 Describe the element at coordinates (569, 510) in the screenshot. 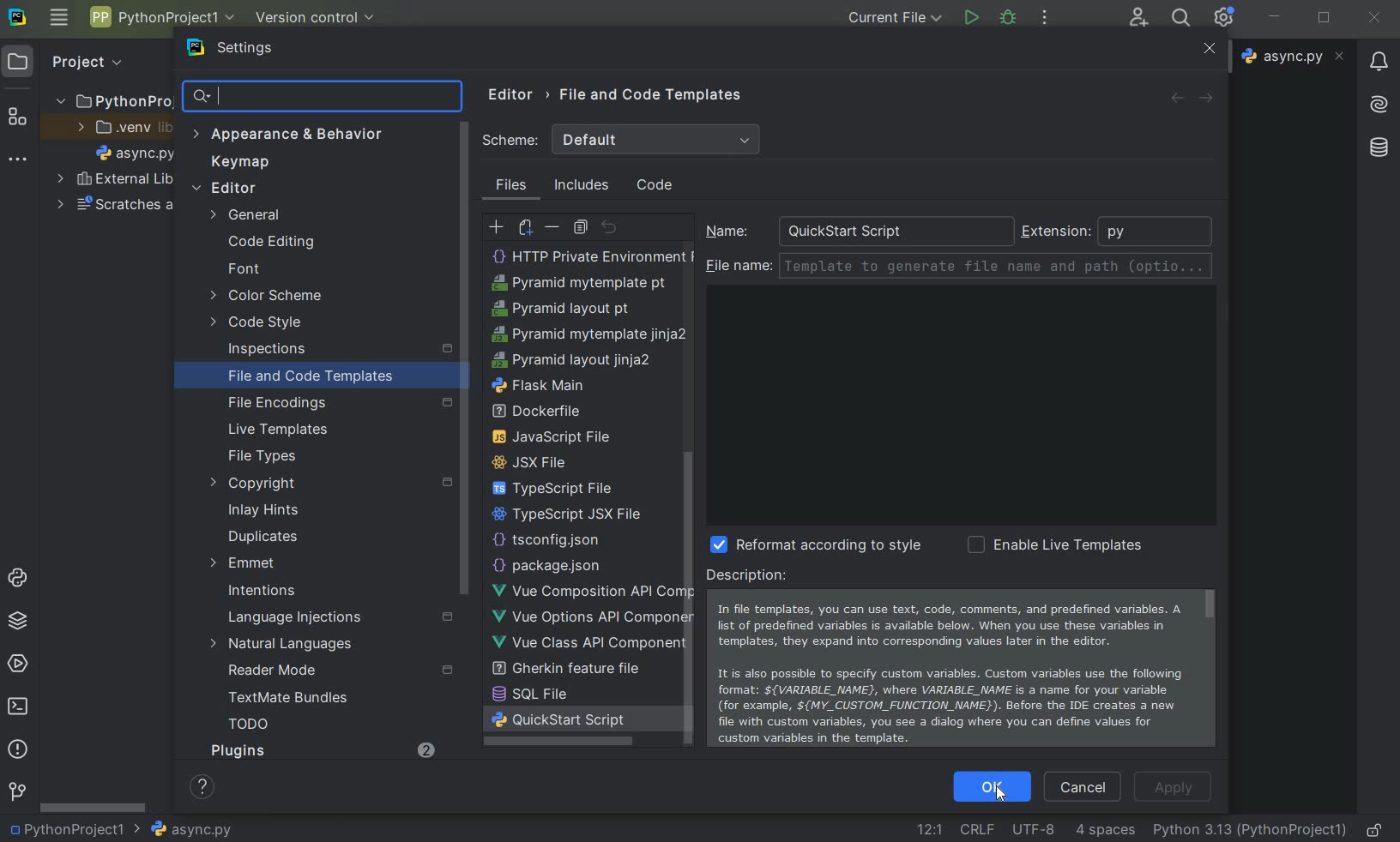

I see `XML Properties File` at that location.